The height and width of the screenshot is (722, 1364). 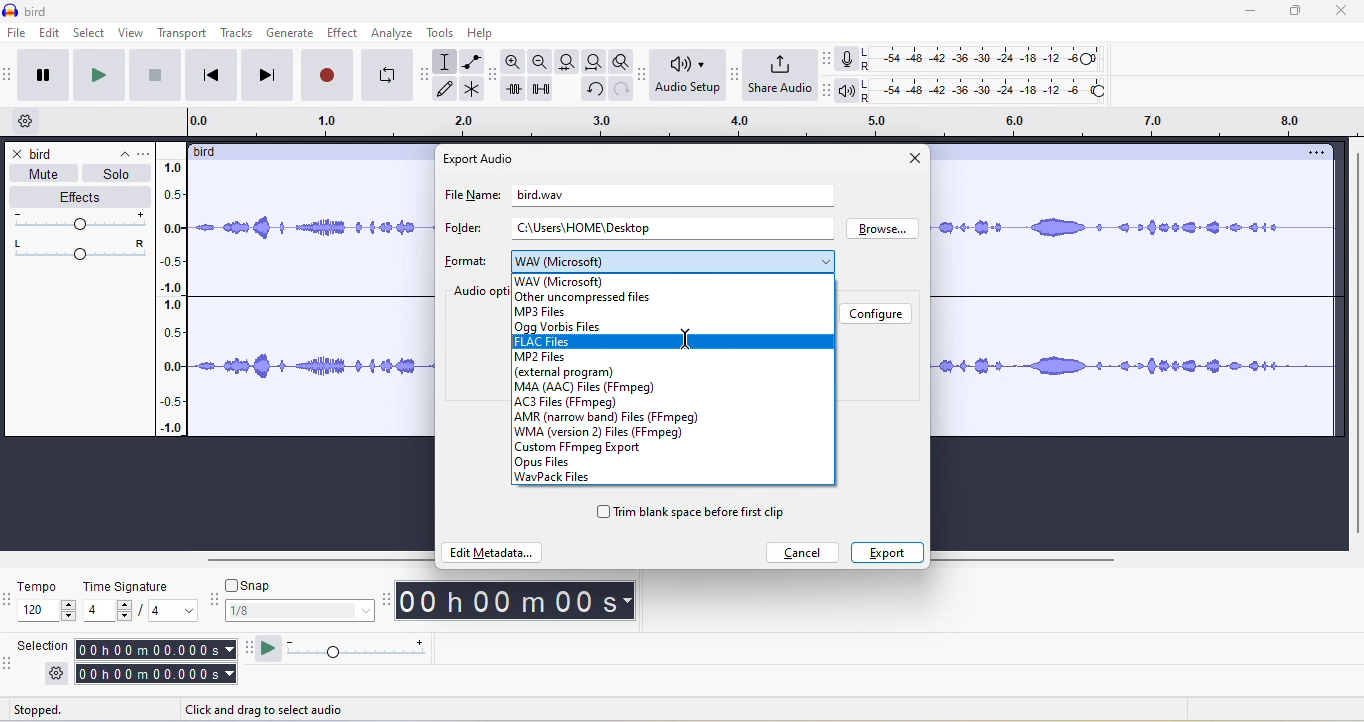 What do you see at coordinates (325, 75) in the screenshot?
I see `record` at bounding box center [325, 75].